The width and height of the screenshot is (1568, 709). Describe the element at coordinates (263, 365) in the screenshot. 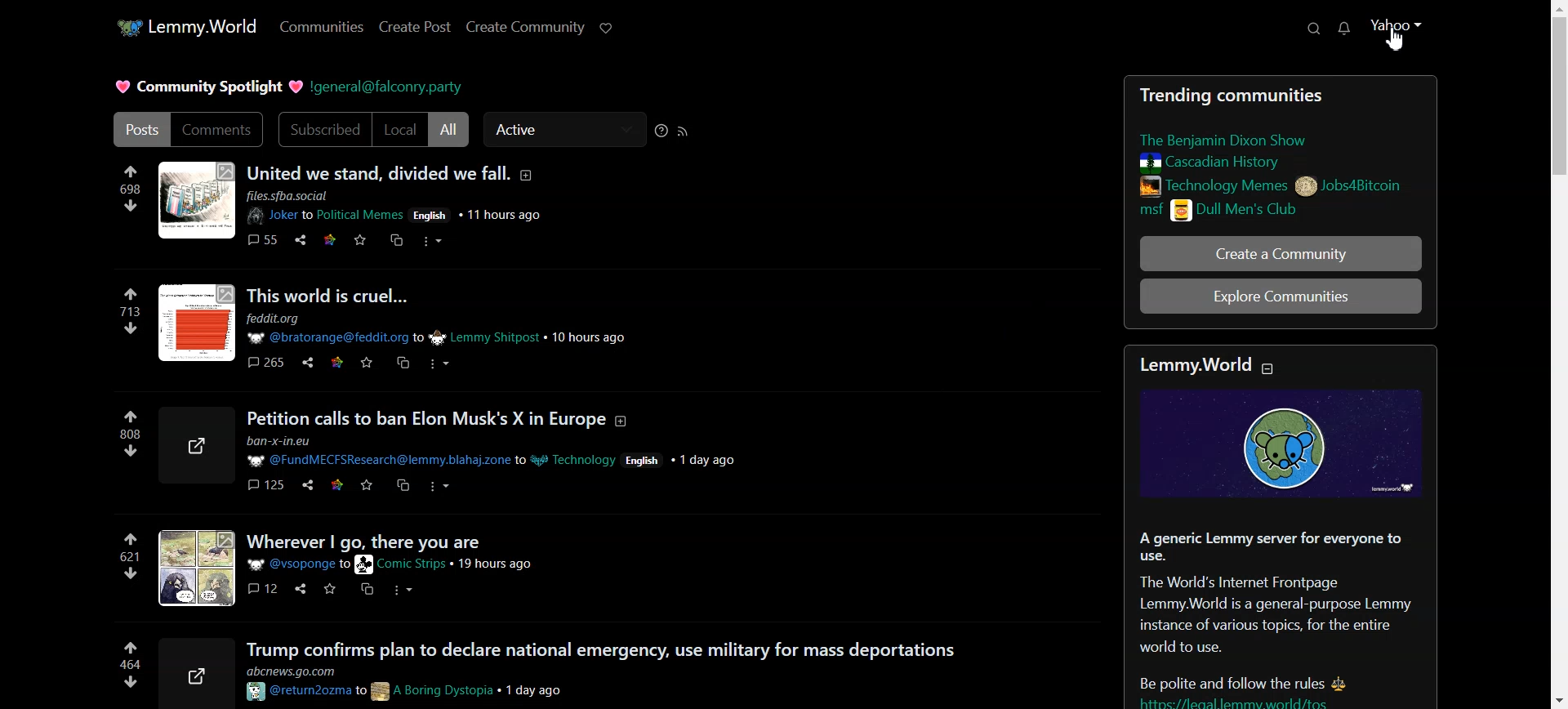

I see `265` at that location.